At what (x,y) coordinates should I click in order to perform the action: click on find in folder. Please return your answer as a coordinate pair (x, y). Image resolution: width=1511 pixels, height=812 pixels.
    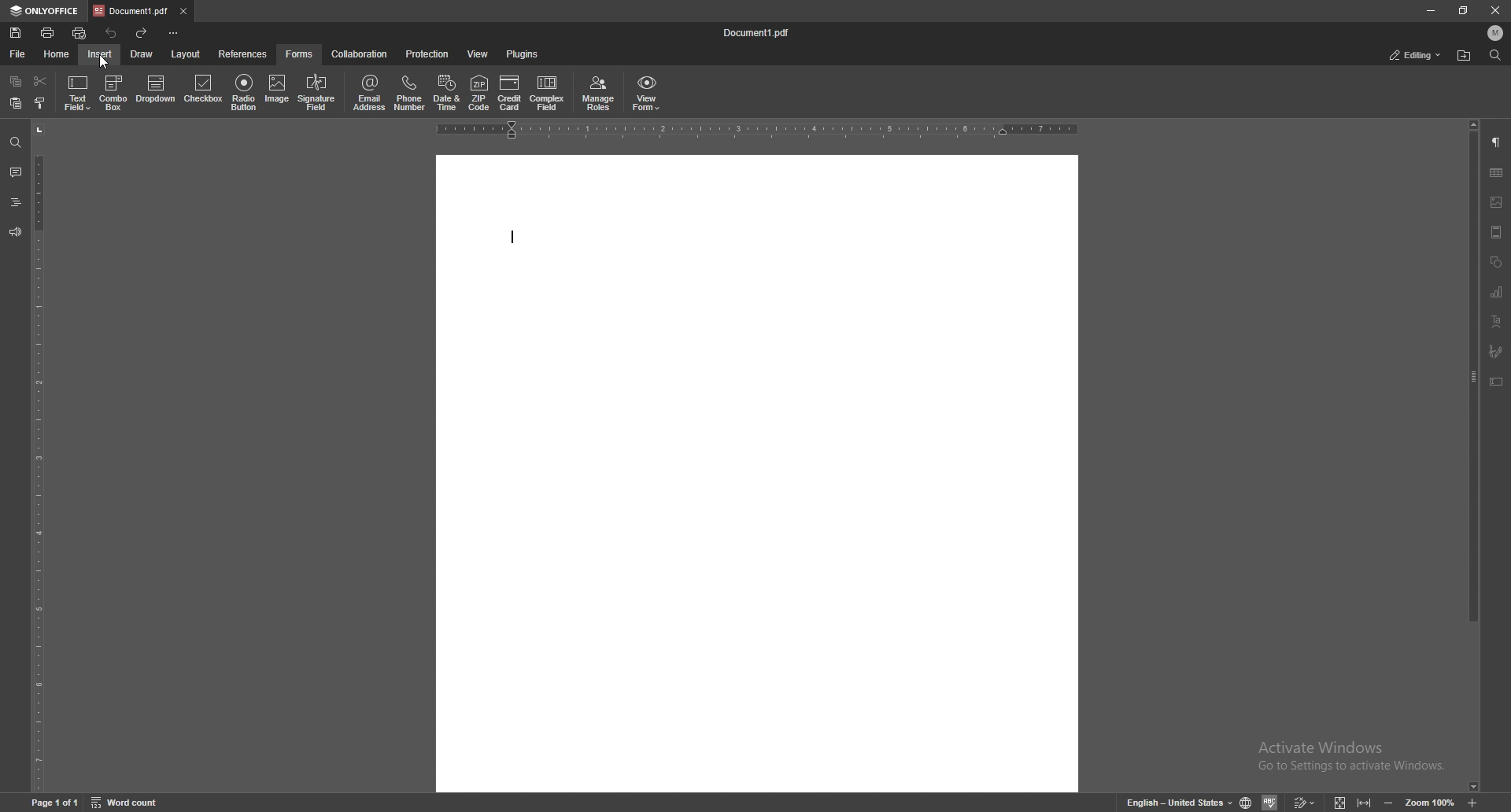
    Looking at the image, I should click on (1464, 56).